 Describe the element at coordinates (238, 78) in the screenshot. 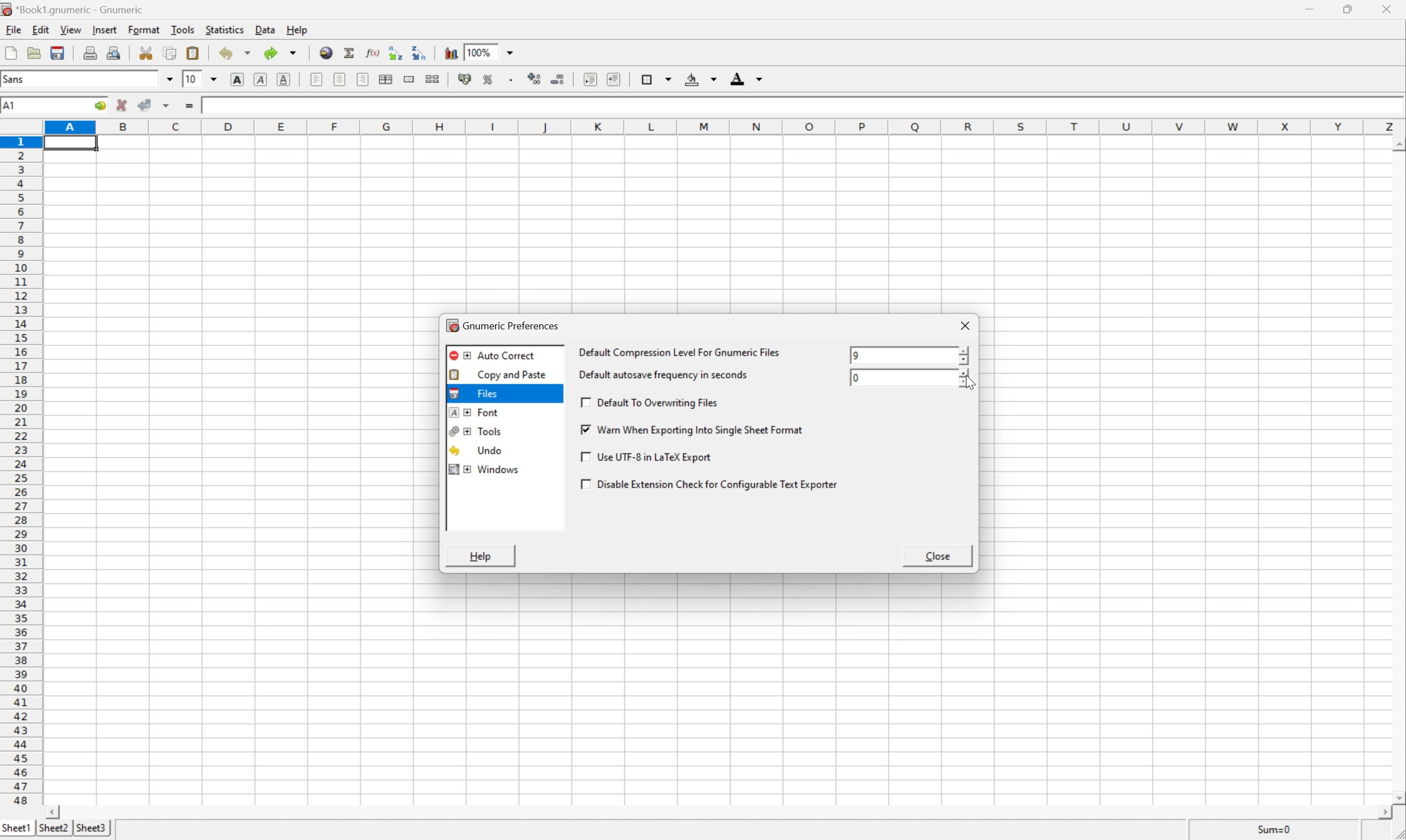

I see `bold` at that location.